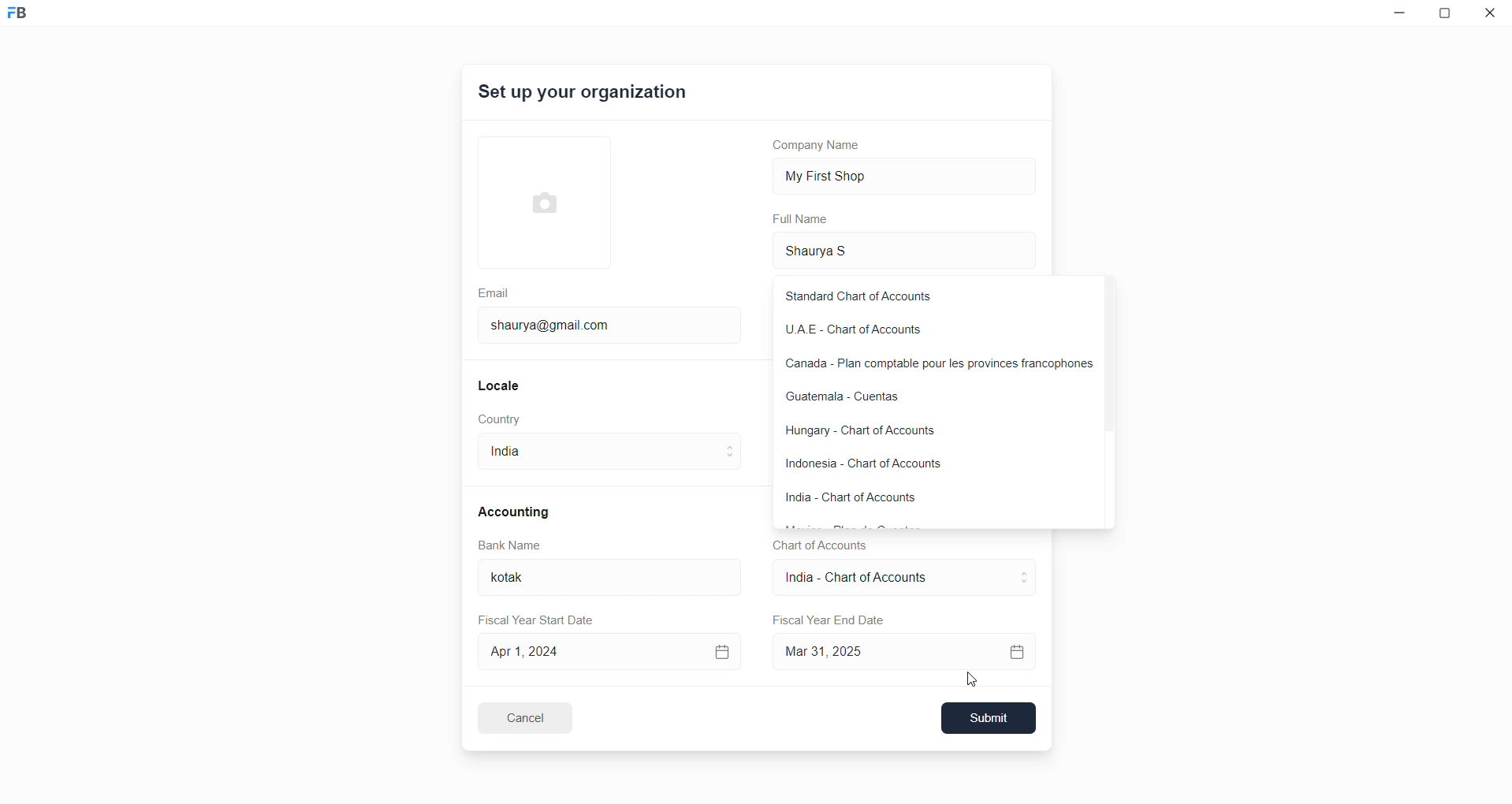  Describe the element at coordinates (921, 396) in the screenshot. I see `Guatemala - Cuentas` at that location.